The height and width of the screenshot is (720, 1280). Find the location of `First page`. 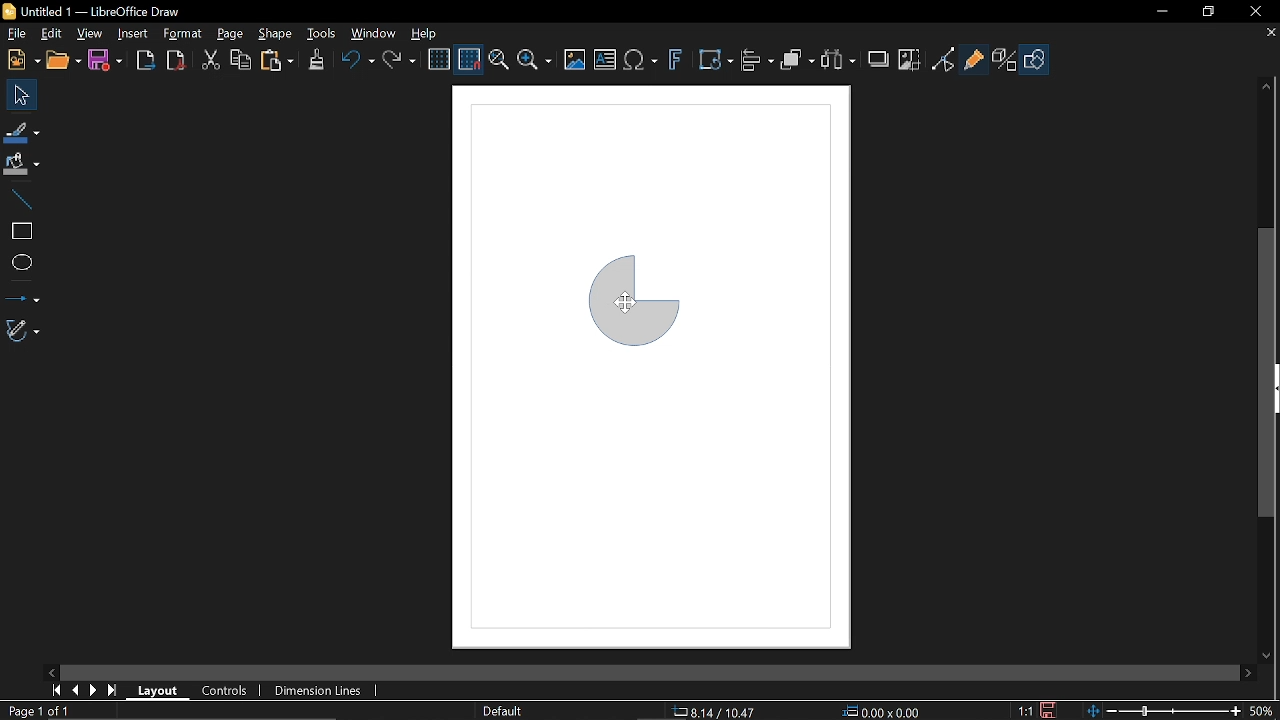

First page is located at coordinates (54, 690).